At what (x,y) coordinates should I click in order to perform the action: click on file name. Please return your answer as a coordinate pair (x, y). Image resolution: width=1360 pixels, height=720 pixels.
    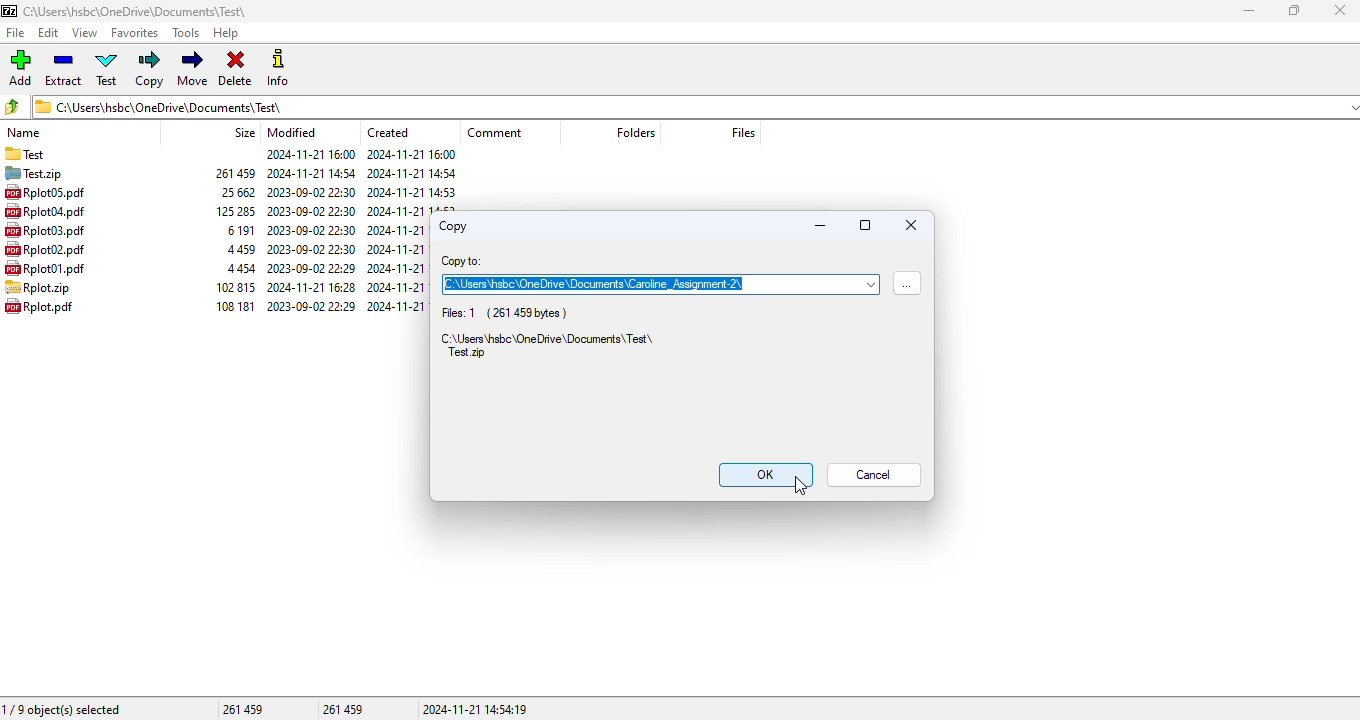
    Looking at the image, I should click on (44, 267).